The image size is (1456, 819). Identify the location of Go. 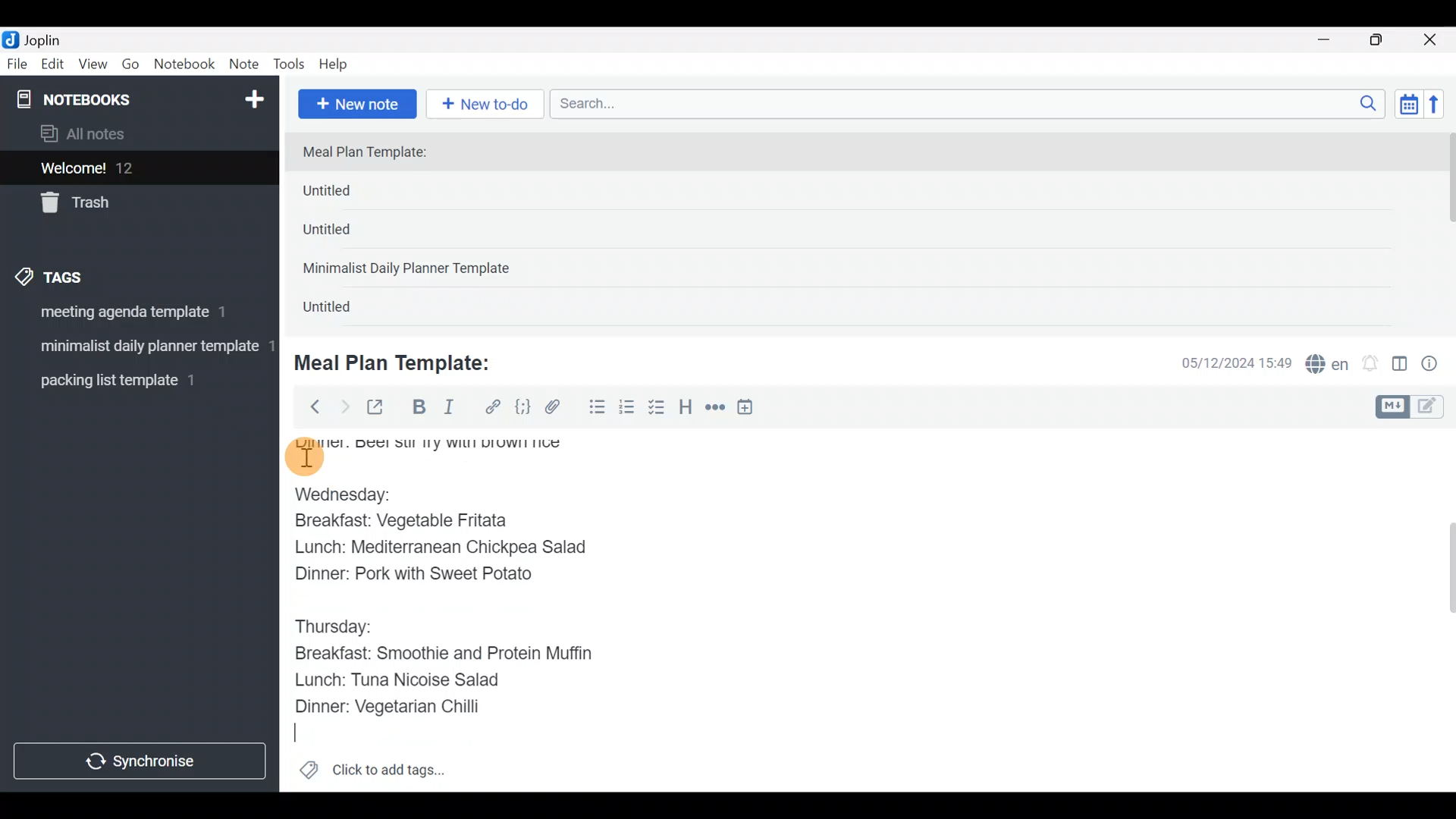
(130, 67).